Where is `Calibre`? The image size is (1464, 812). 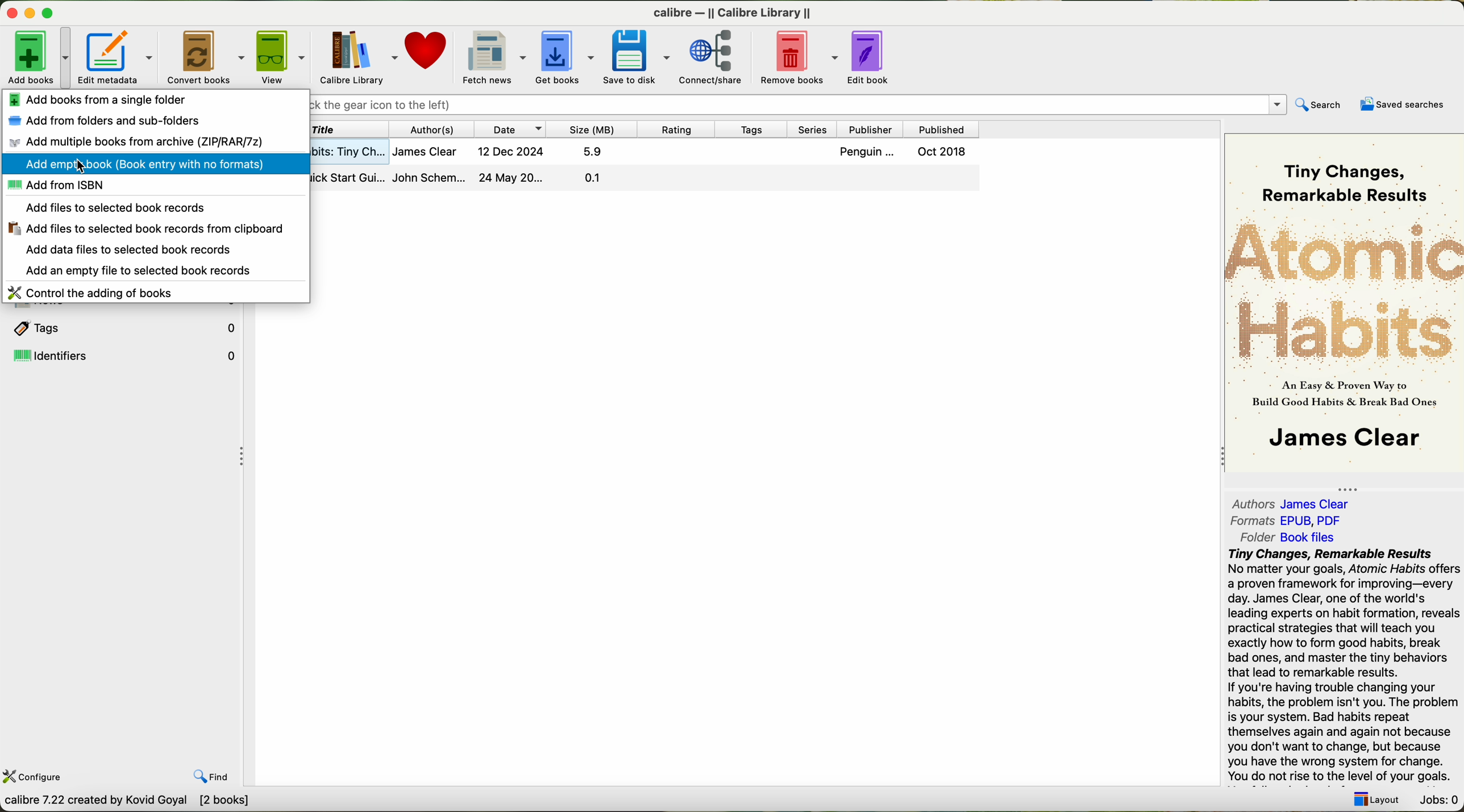
Calibre is located at coordinates (737, 14).